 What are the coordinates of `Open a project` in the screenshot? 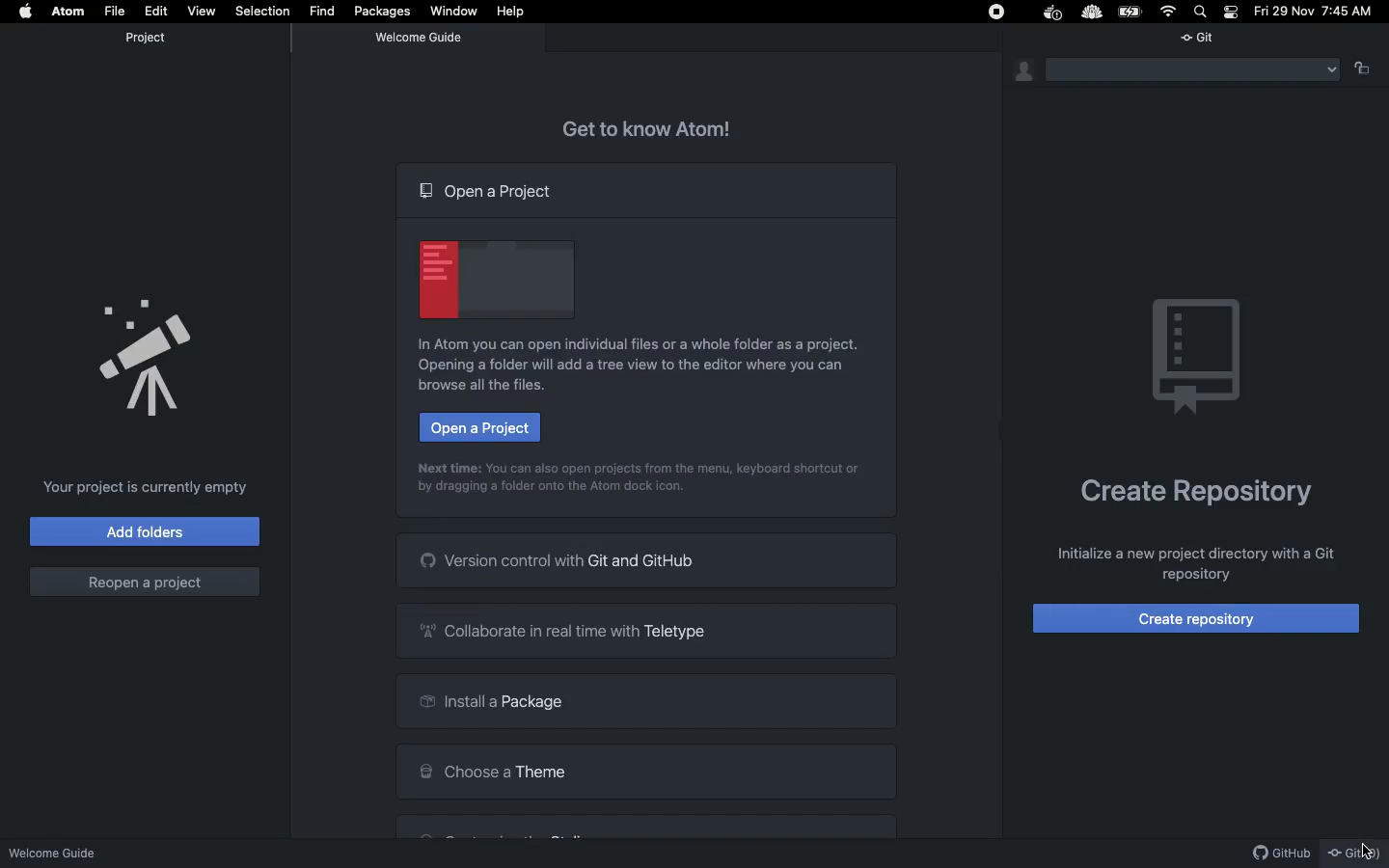 It's located at (491, 194).